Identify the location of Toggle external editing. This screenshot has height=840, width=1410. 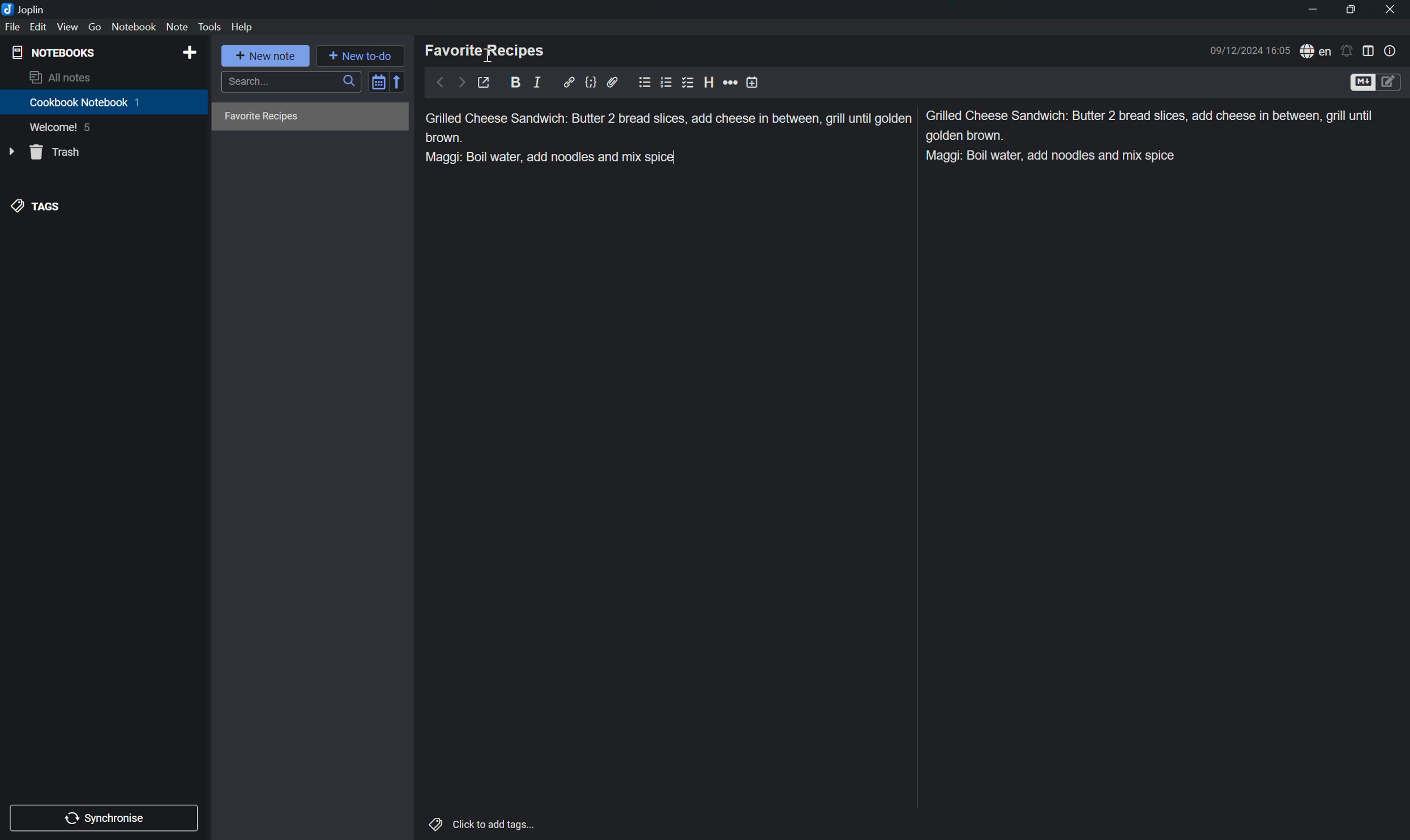
(486, 82).